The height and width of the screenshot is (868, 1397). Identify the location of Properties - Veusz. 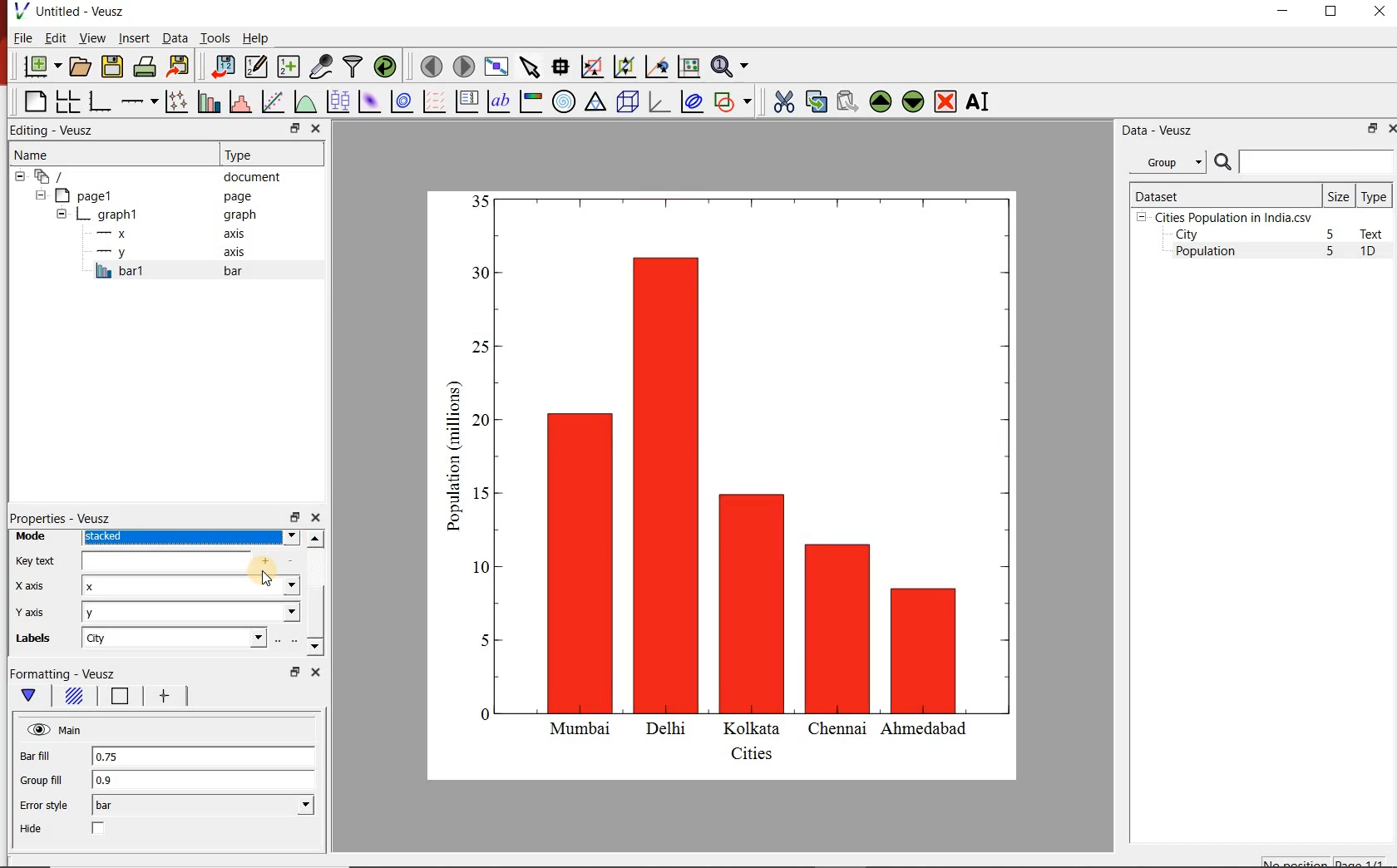
(60, 518).